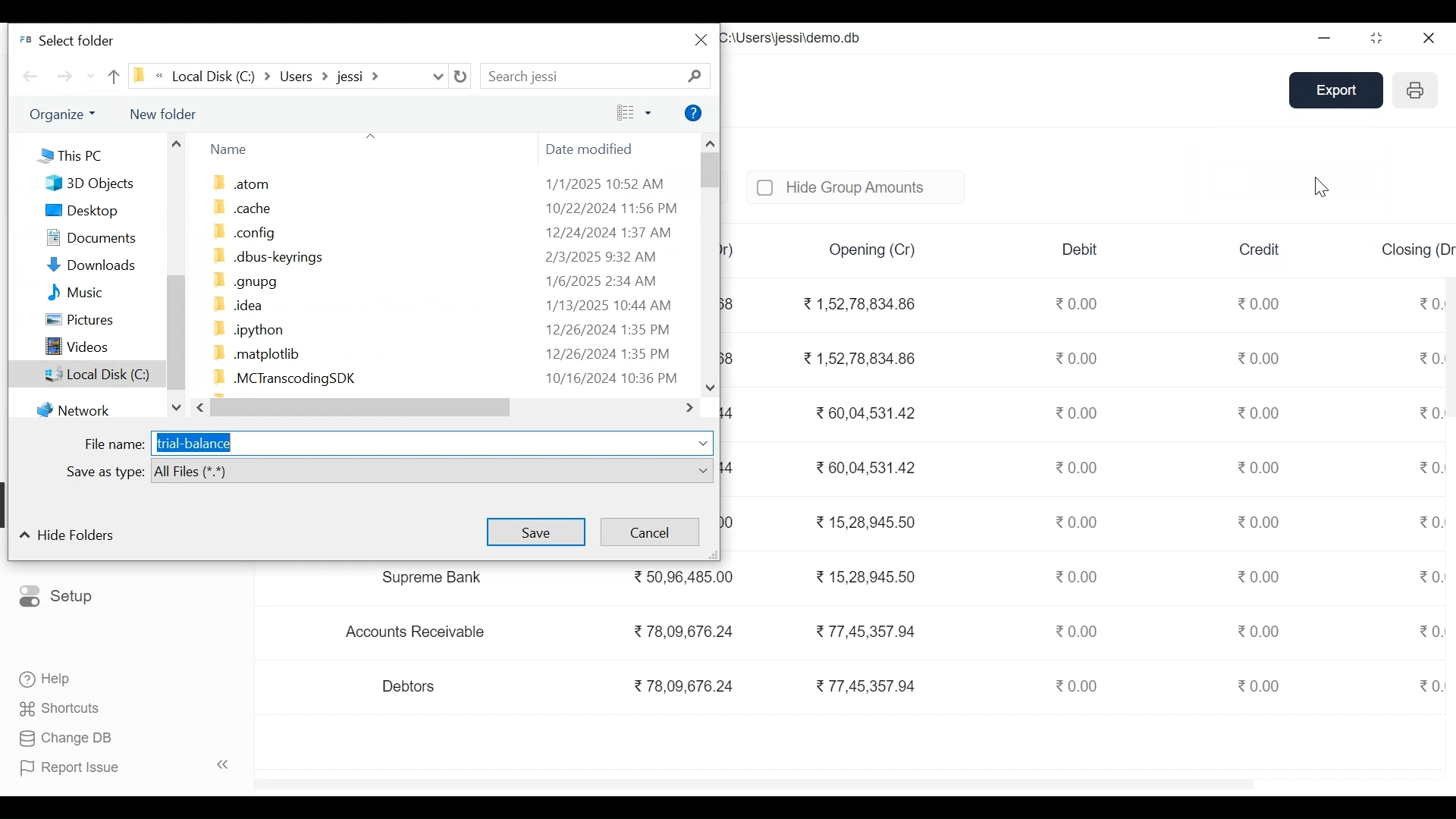 Image resolution: width=1456 pixels, height=819 pixels. What do you see at coordinates (610, 305) in the screenshot?
I see `1/13/2025 10:44 AM` at bounding box center [610, 305].